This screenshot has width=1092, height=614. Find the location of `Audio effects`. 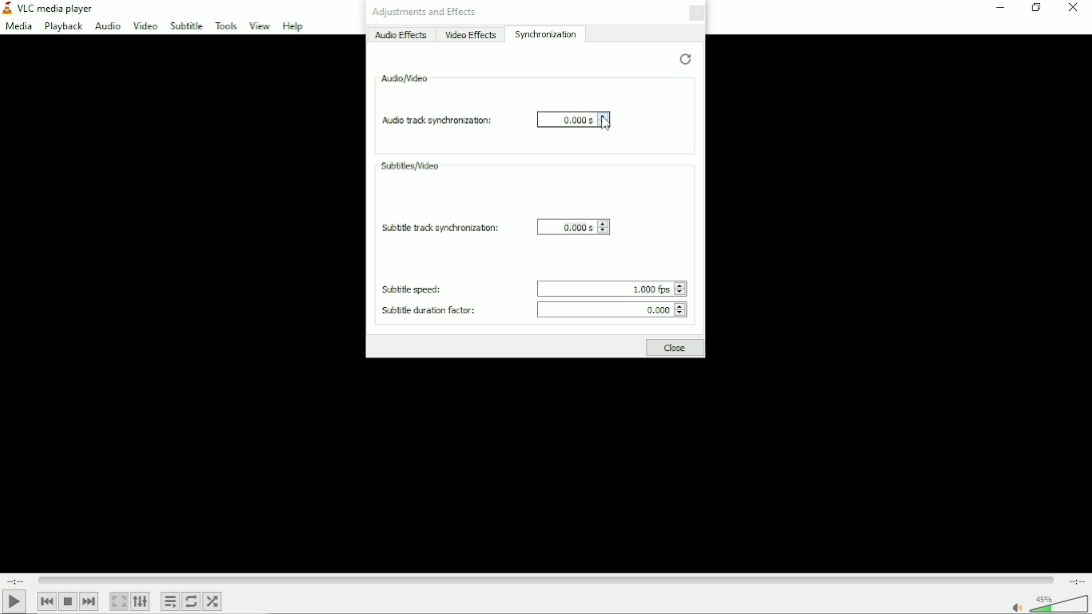

Audio effects is located at coordinates (401, 34).